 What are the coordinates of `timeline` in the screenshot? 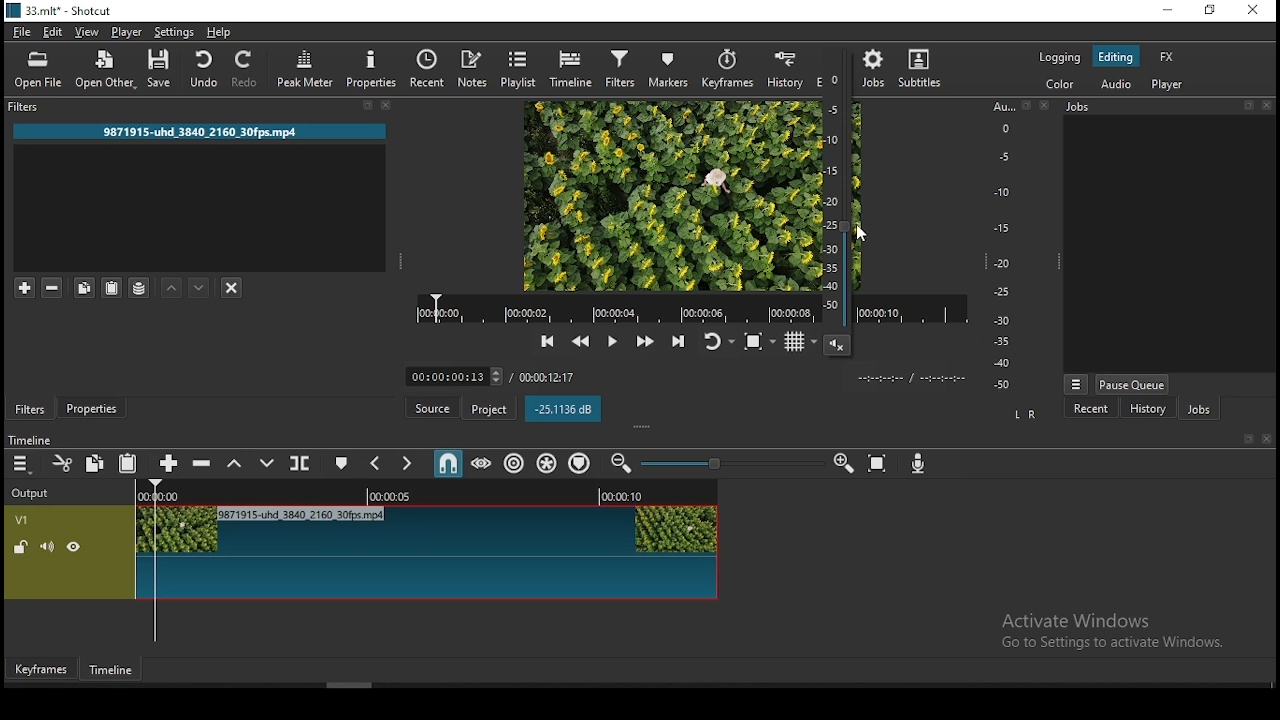 It's located at (111, 667).